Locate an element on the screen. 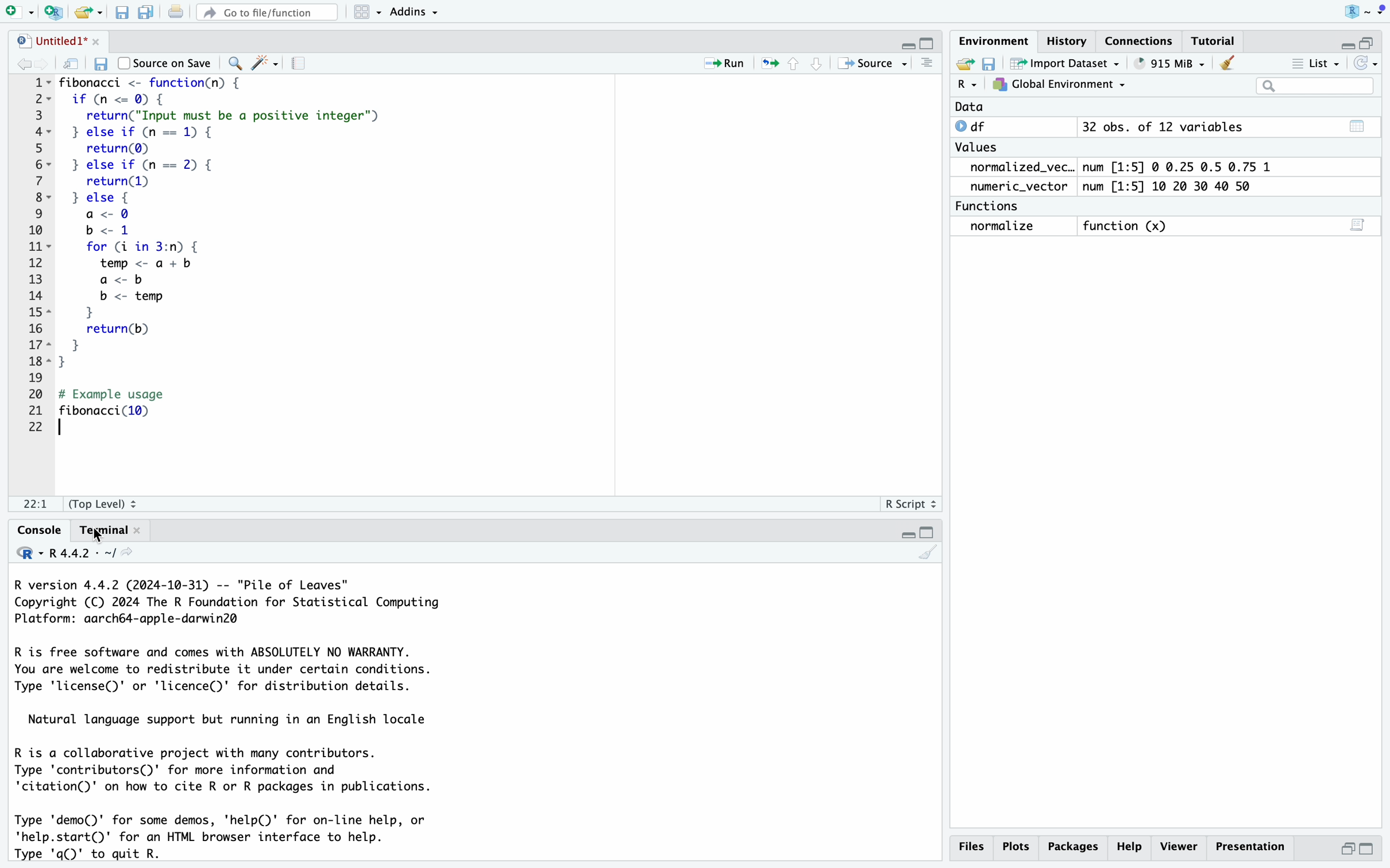 The height and width of the screenshot is (868, 1390). packages is located at coordinates (1073, 848).